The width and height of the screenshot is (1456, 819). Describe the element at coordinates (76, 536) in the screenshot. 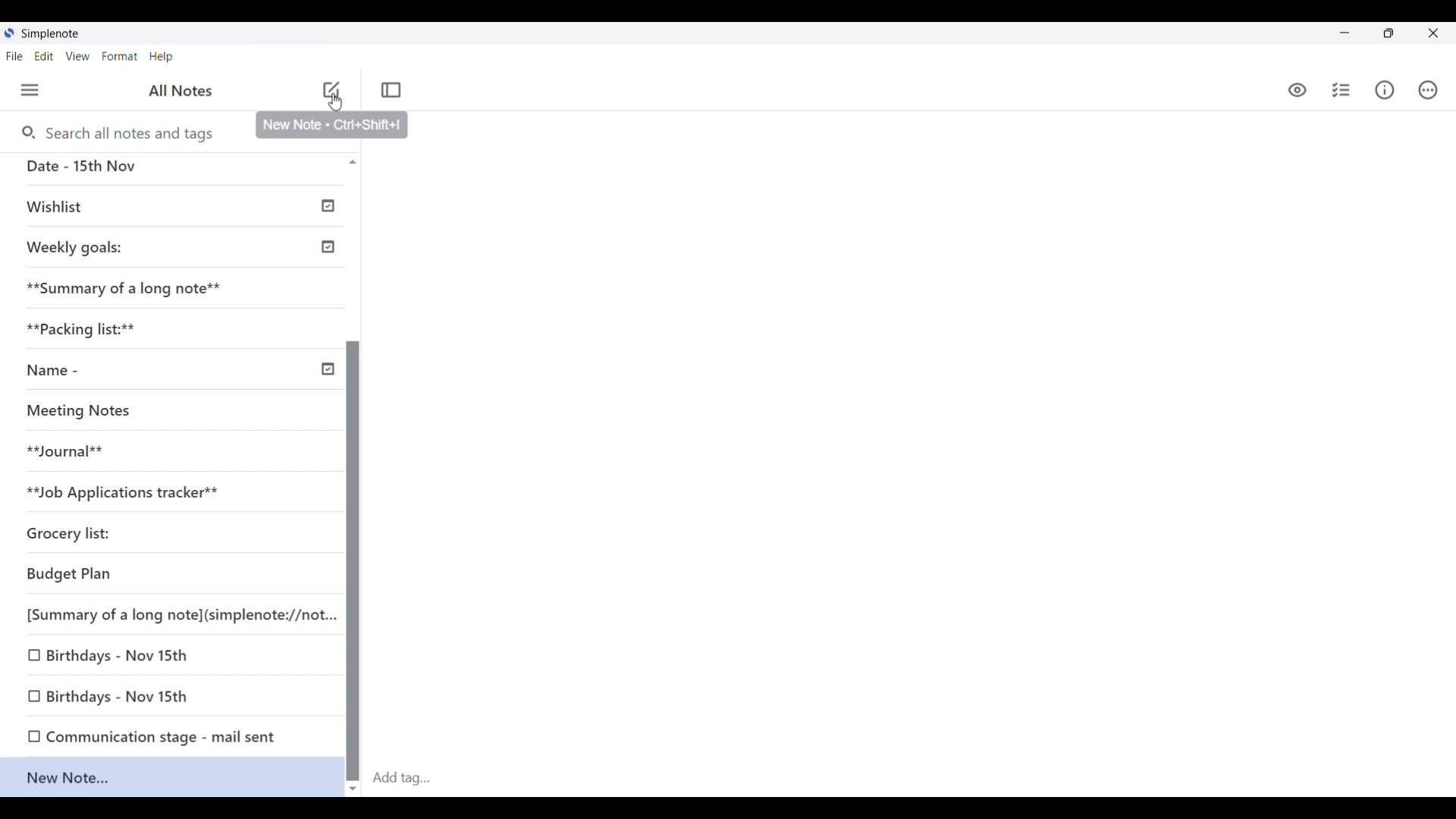

I see `Grocery list:` at that location.